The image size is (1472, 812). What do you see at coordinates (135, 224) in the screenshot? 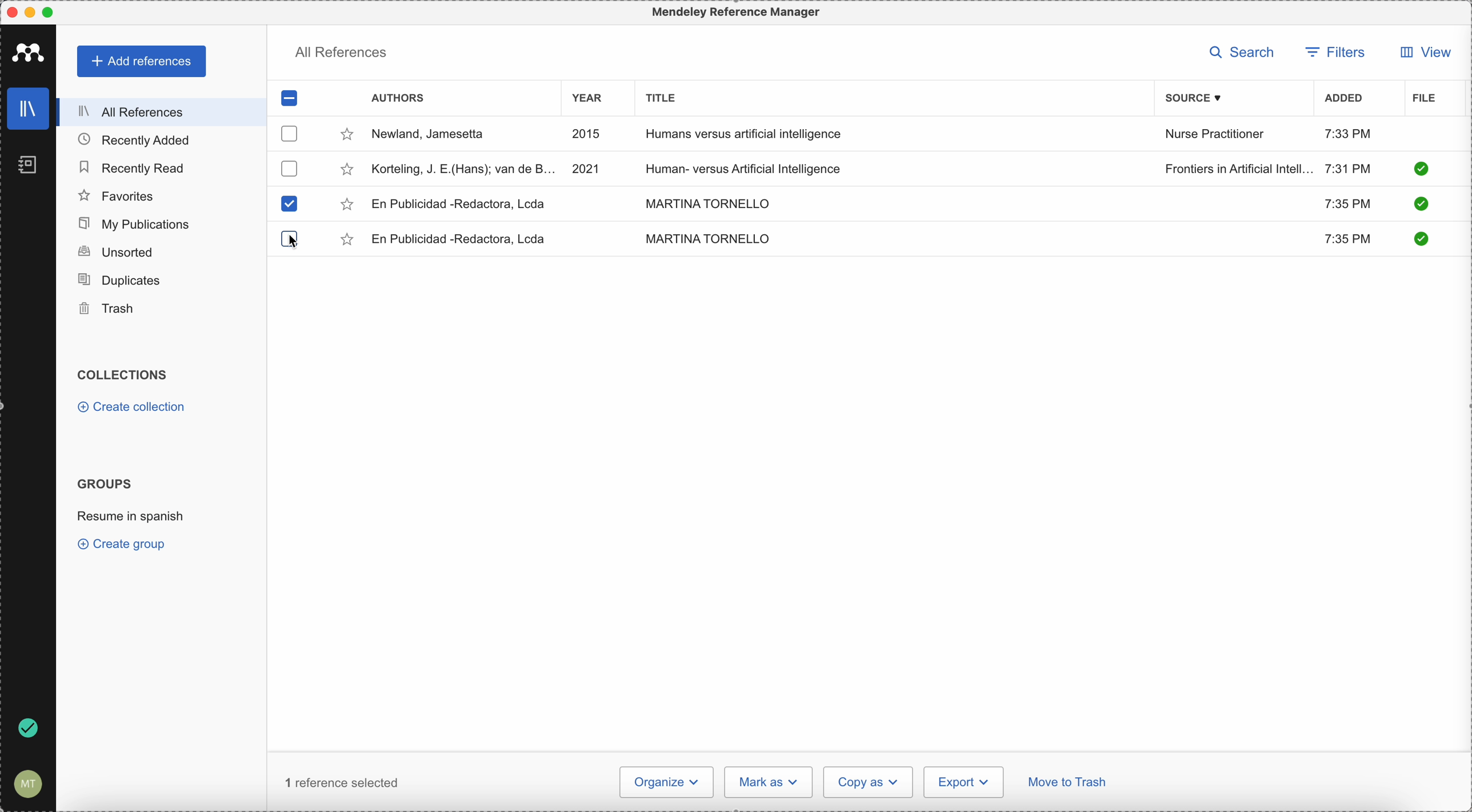
I see `my publications` at bounding box center [135, 224].